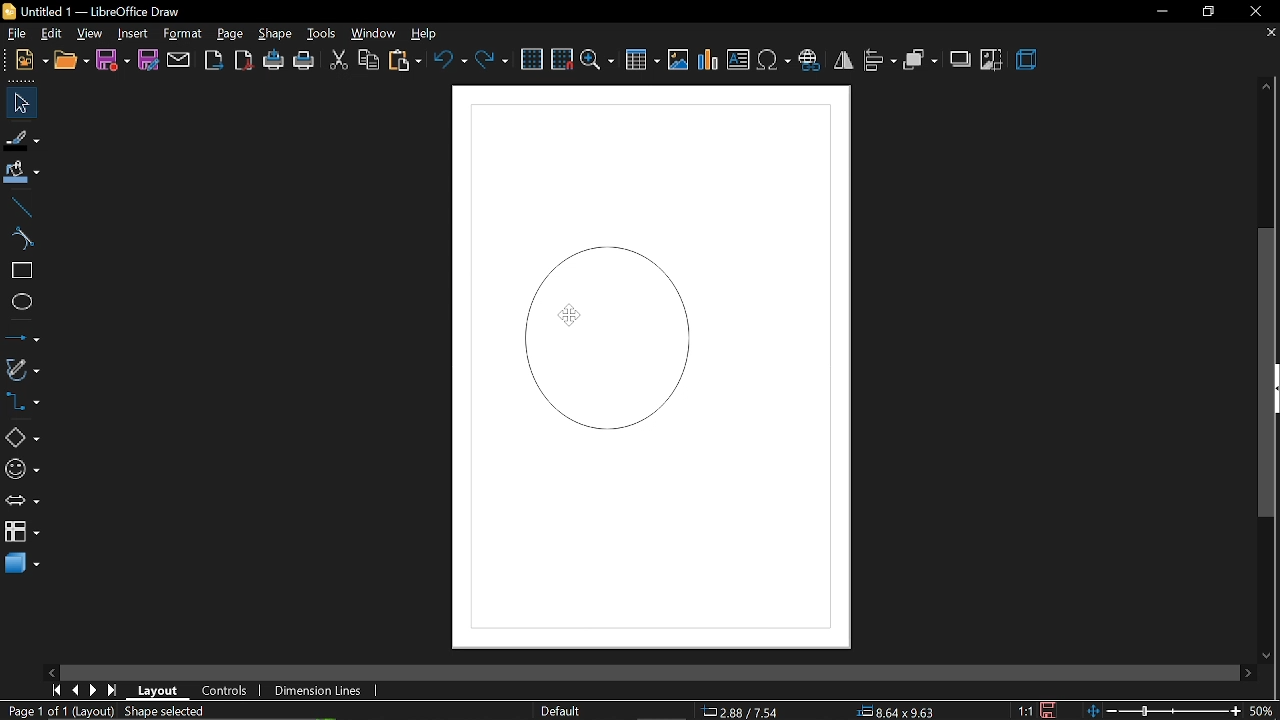 This screenshot has width=1280, height=720. Describe the element at coordinates (306, 60) in the screenshot. I see `print` at that location.